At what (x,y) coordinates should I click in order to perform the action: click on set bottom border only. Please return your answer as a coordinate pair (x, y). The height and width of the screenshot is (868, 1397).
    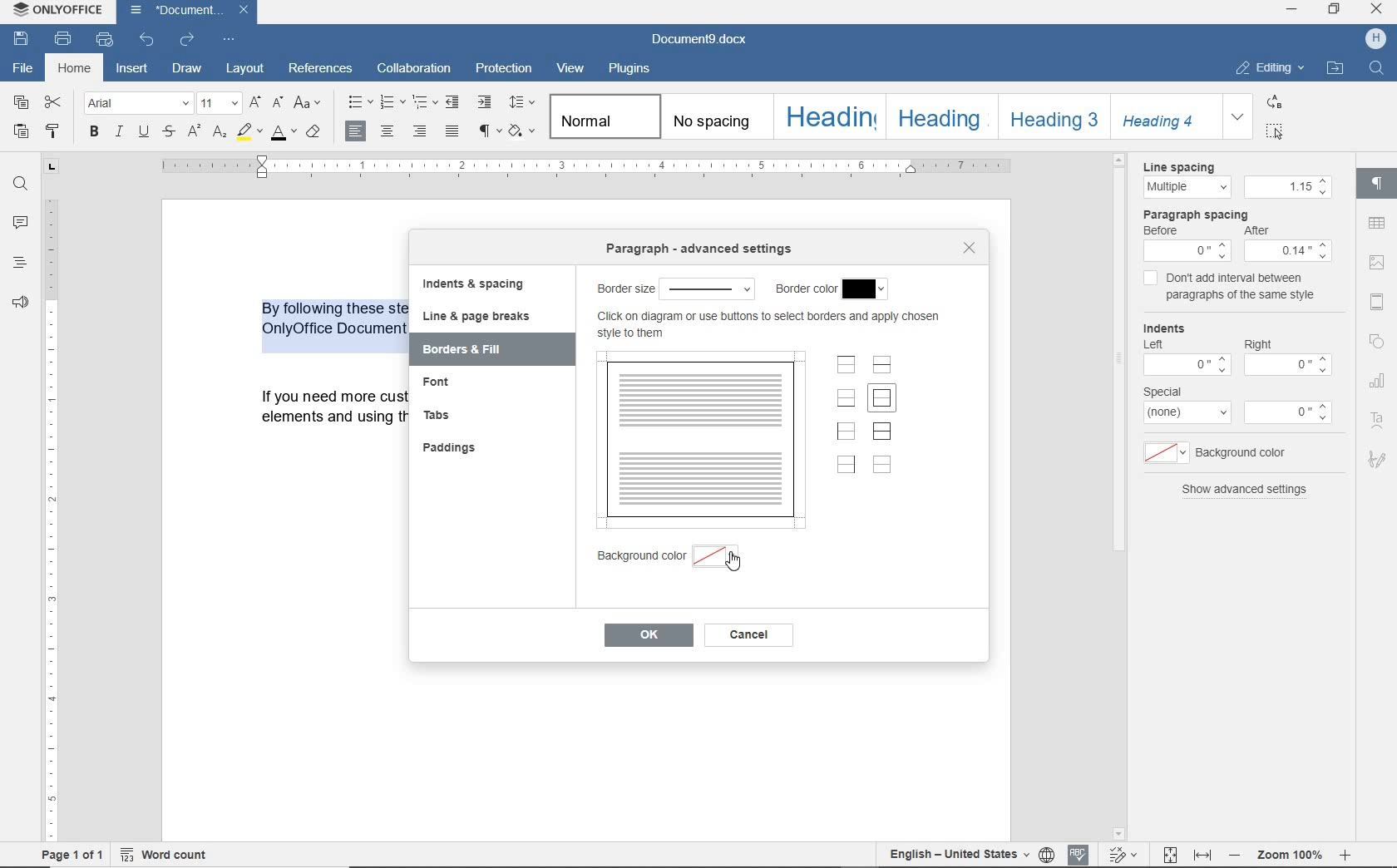
    Looking at the image, I should click on (846, 397).